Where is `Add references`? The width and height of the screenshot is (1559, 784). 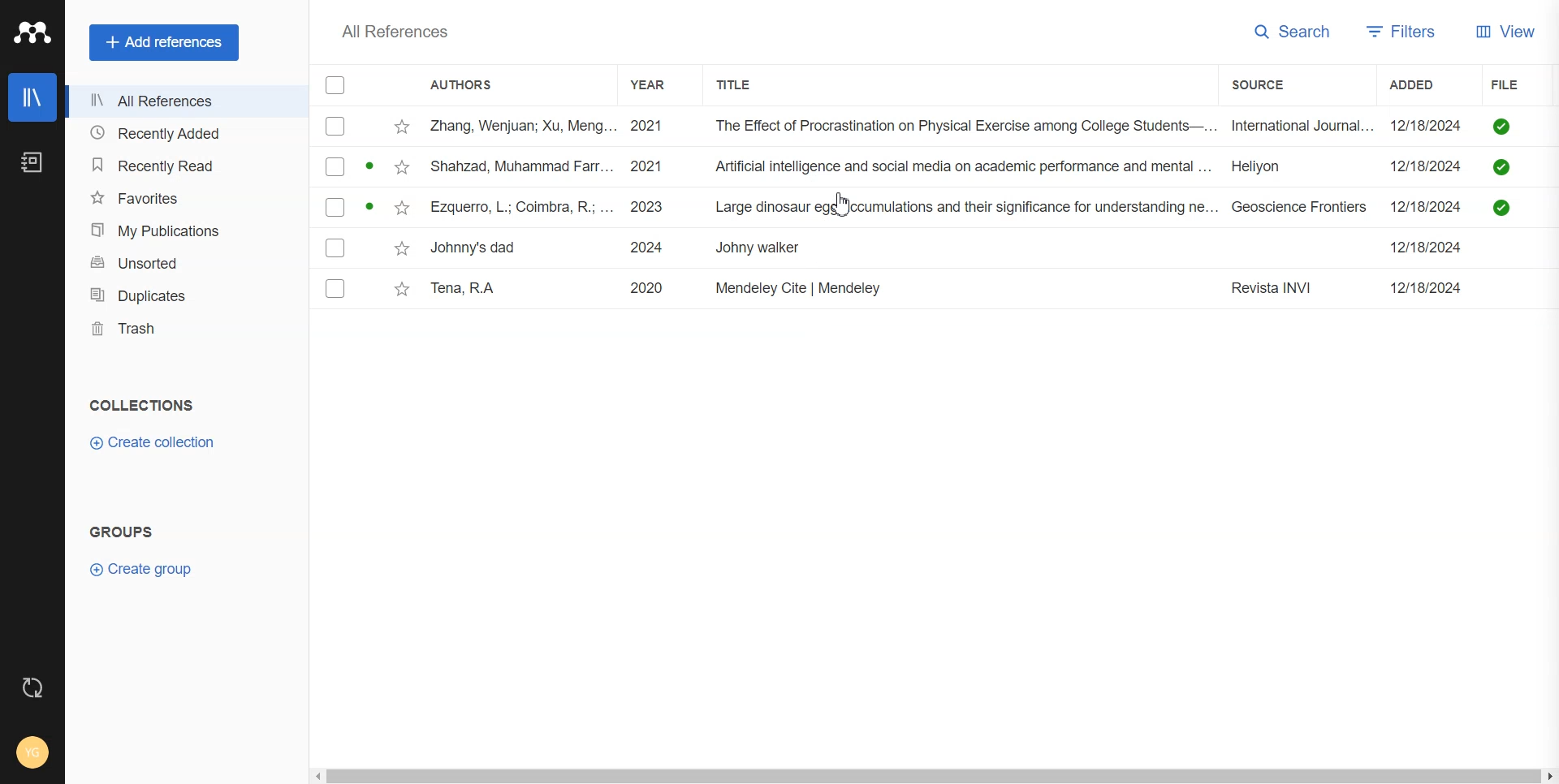 Add references is located at coordinates (164, 42).